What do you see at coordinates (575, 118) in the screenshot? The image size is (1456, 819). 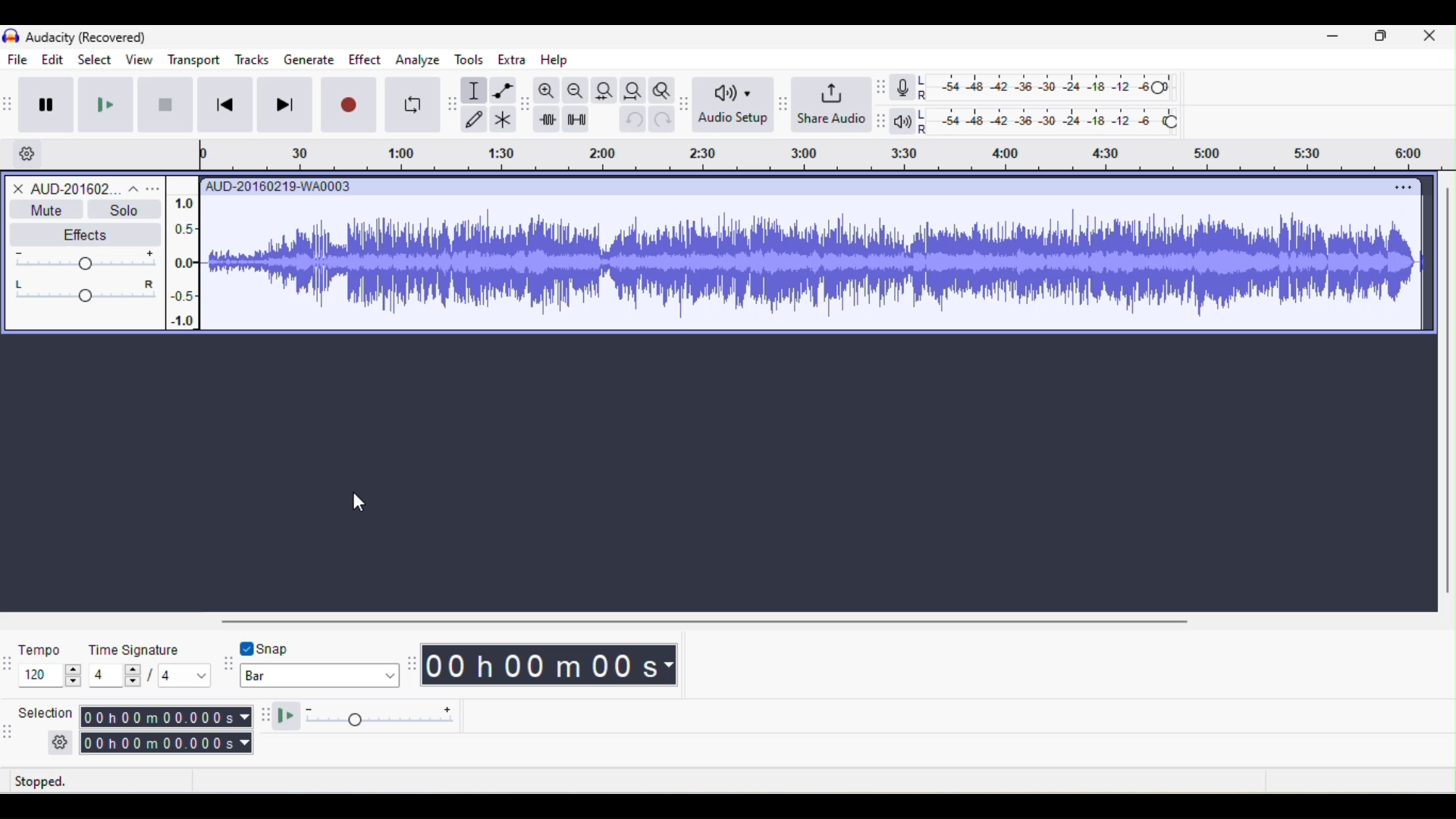 I see `silence audio selection` at bounding box center [575, 118].